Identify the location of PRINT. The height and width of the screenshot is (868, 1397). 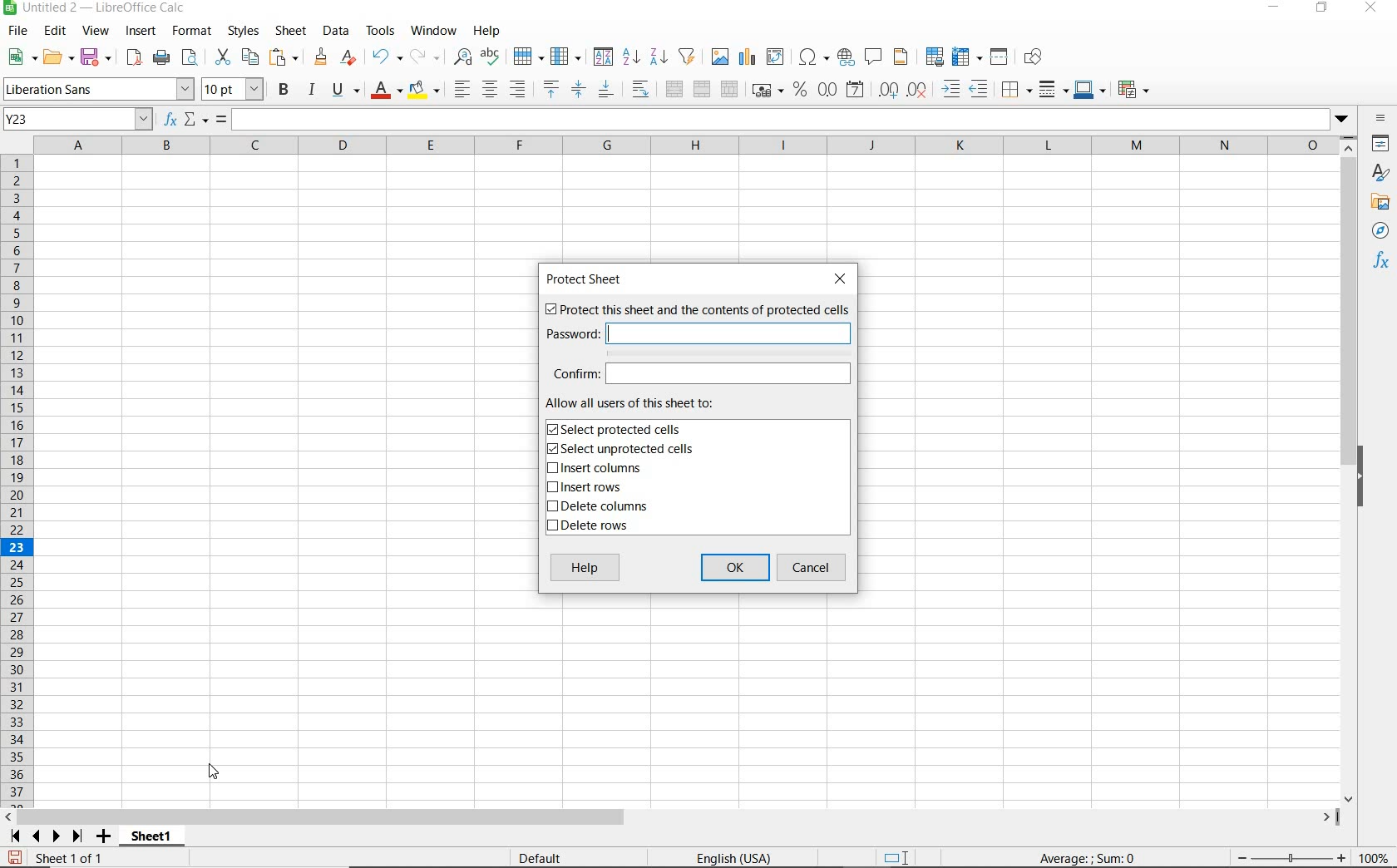
(161, 58).